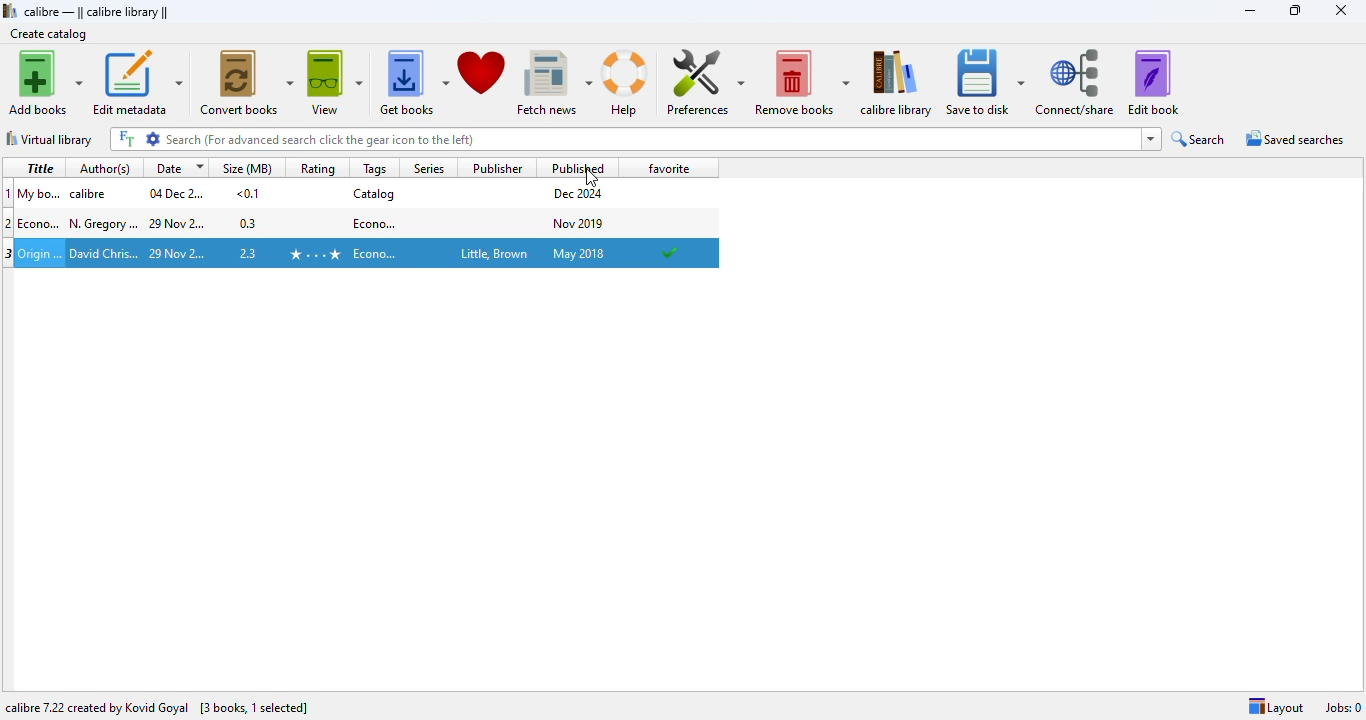  Describe the element at coordinates (581, 168) in the screenshot. I see `published` at that location.